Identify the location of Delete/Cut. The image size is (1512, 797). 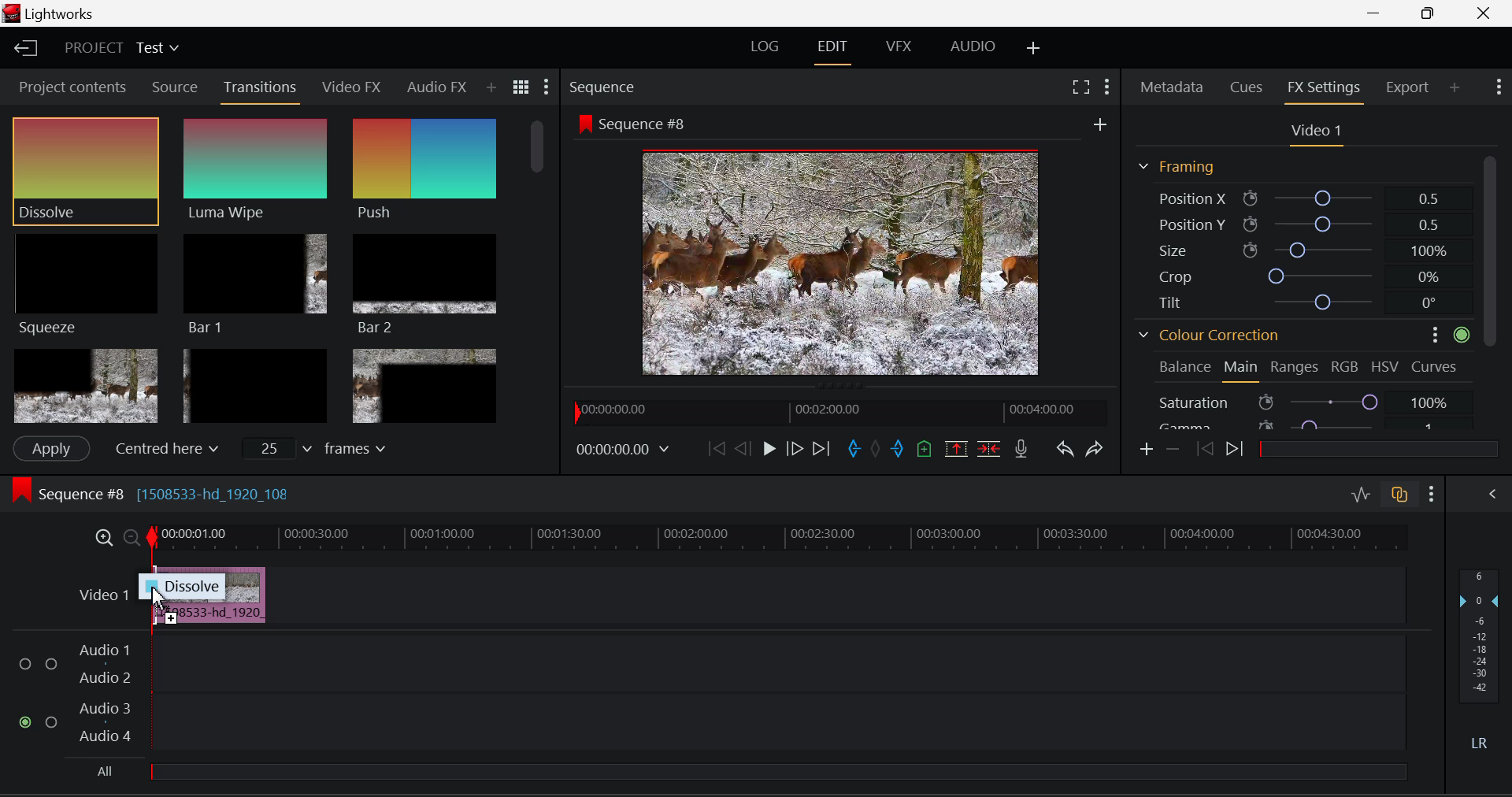
(991, 449).